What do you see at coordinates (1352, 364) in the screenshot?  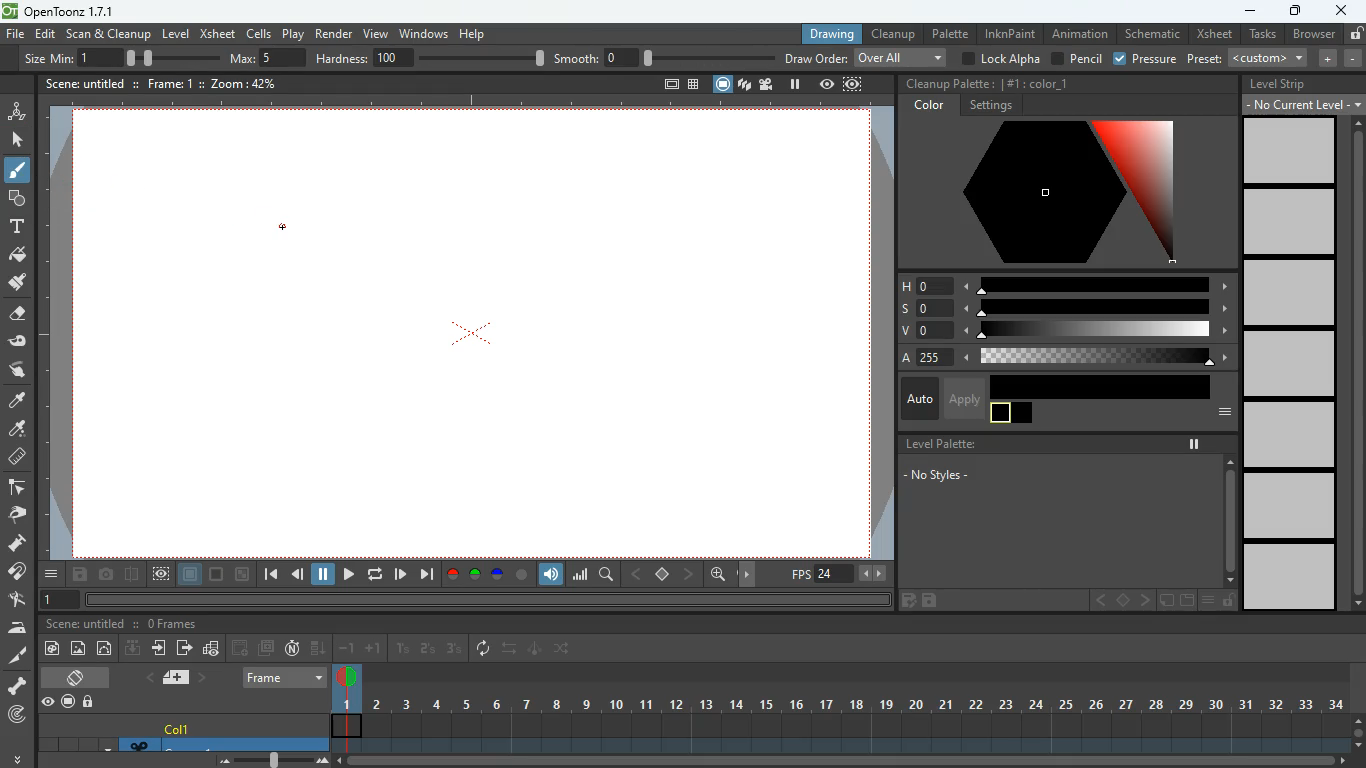 I see `scroll` at bounding box center [1352, 364].